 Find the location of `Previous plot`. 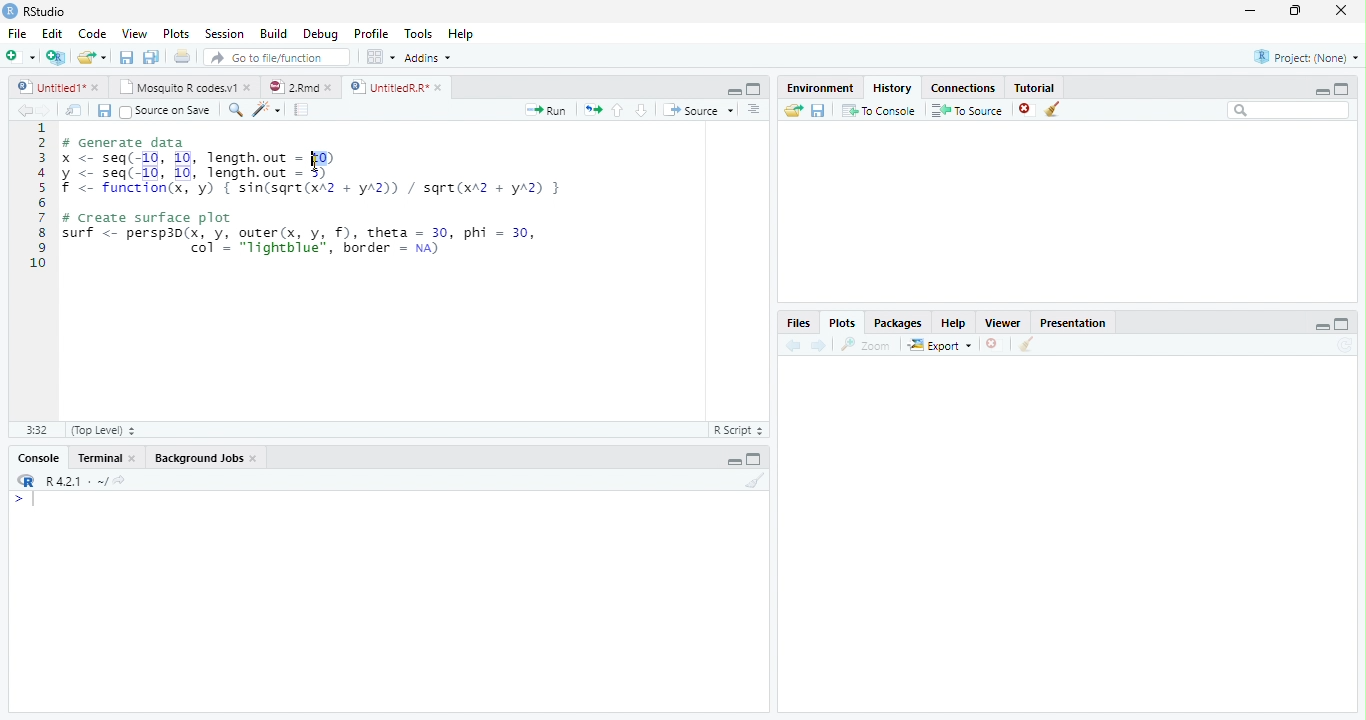

Previous plot is located at coordinates (793, 345).